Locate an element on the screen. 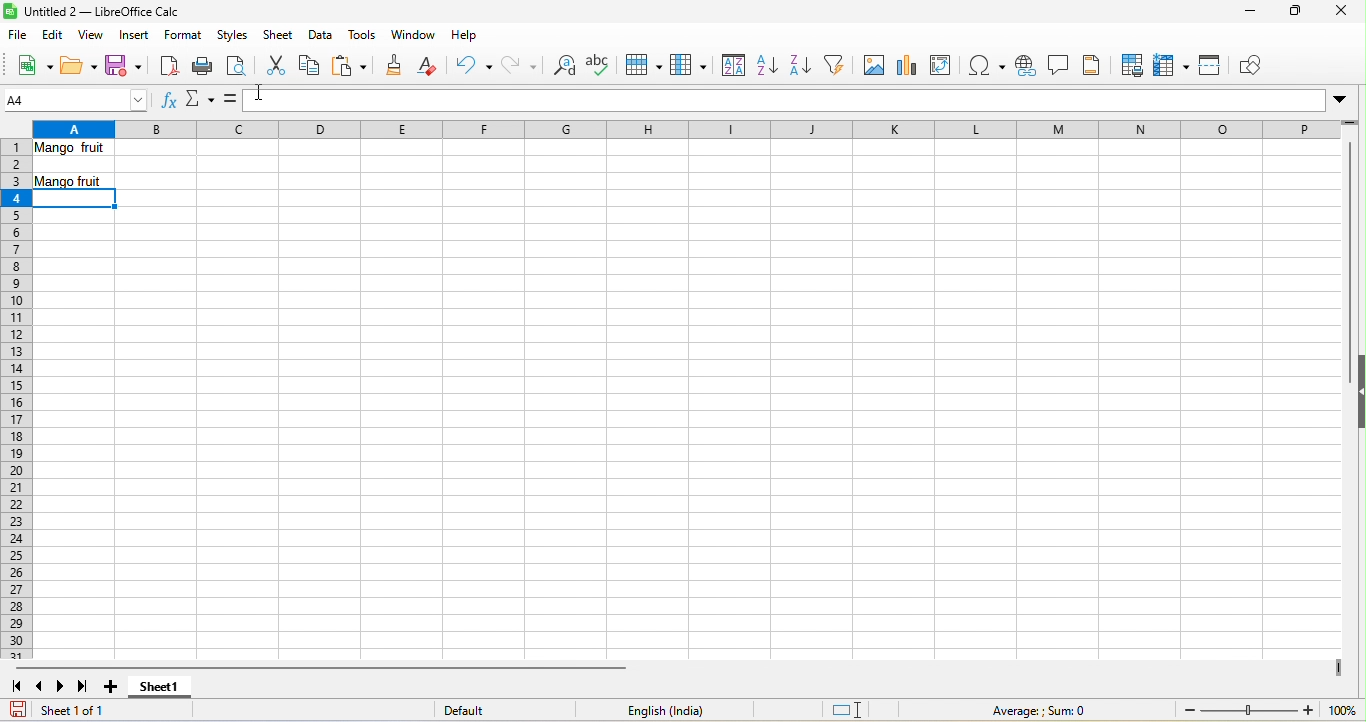 The width and height of the screenshot is (1366, 722). untitled 2- libreoffice calc is located at coordinates (98, 11).